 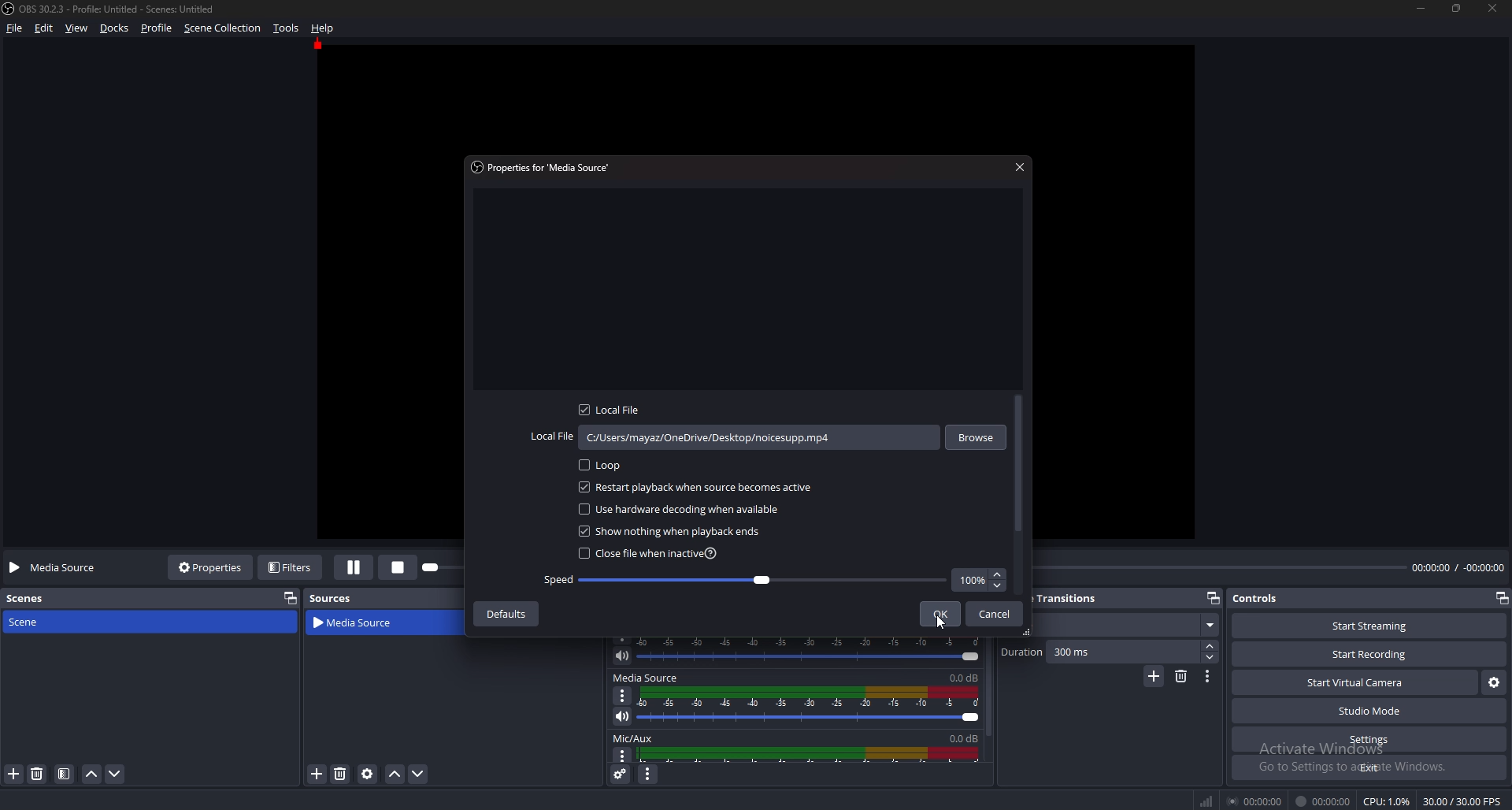 What do you see at coordinates (364, 623) in the screenshot?
I see `media source` at bounding box center [364, 623].